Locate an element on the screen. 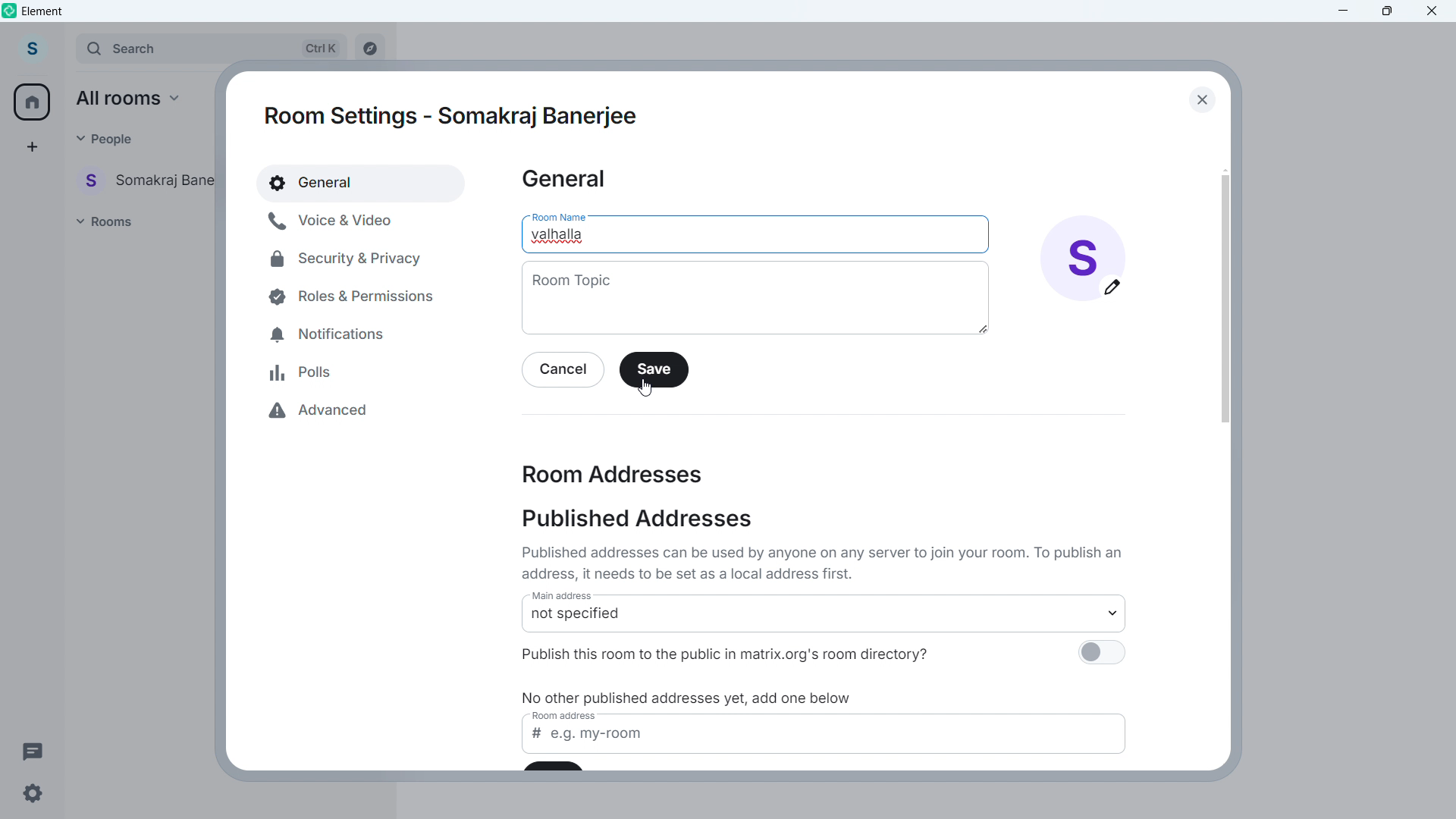  Polls  is located at coordinates (304, 372).